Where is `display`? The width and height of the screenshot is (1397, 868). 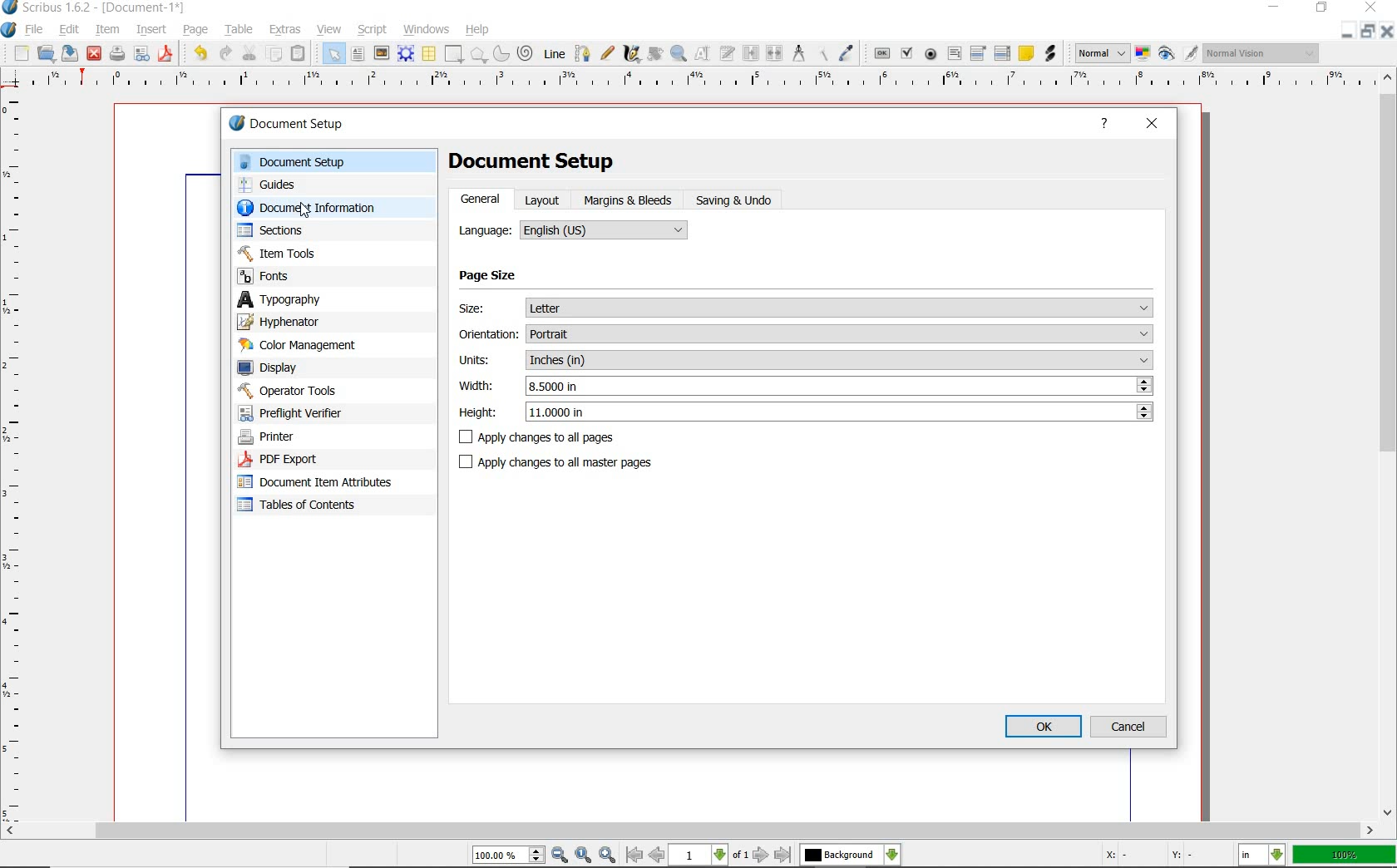
display is located at coordinates (297, 367).